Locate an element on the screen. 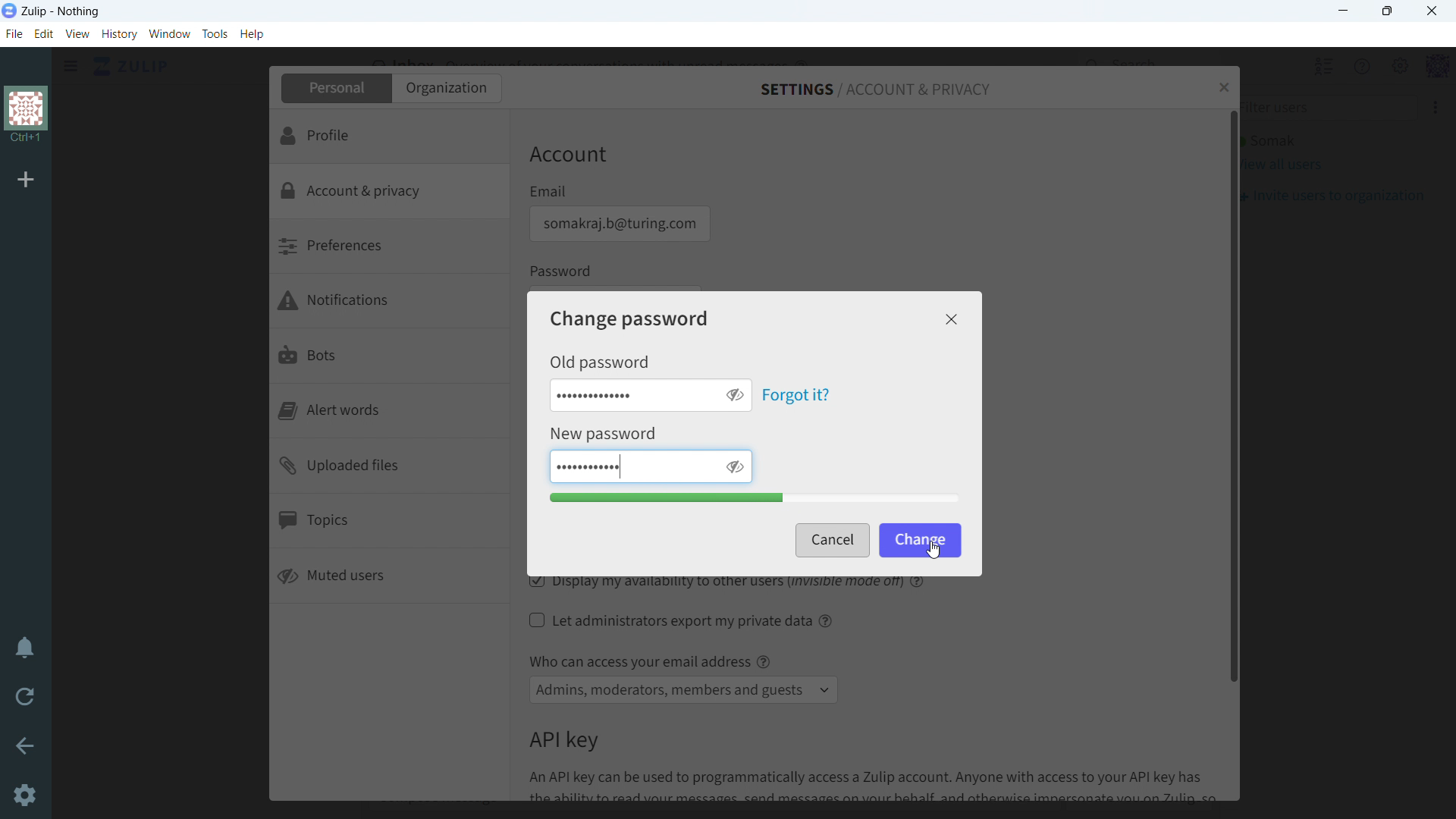 This screenshot has height=819, width=1456. alert words is located at coordinates (391, 411).